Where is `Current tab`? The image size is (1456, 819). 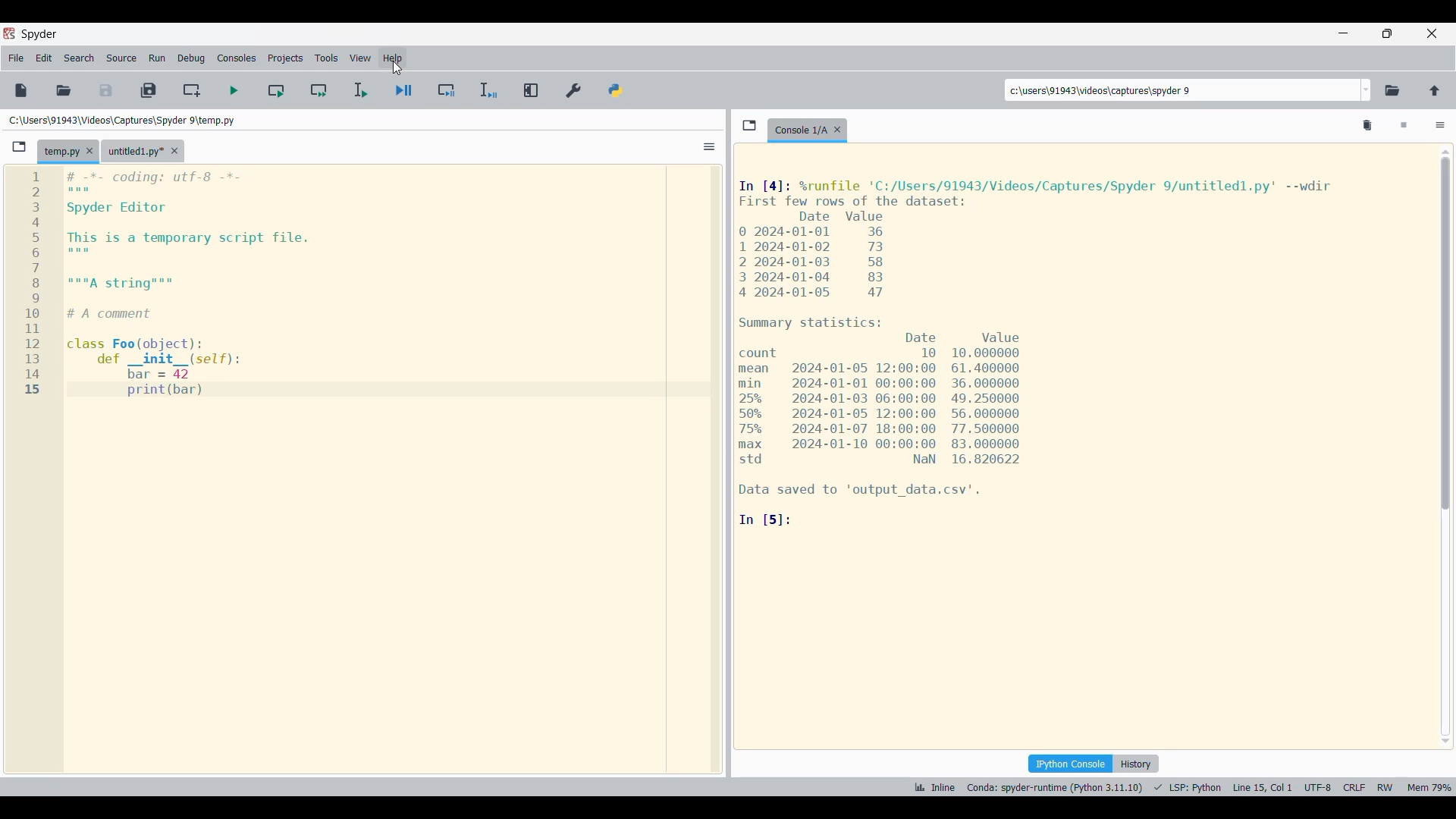
Current tab is located at coordinates (800, 130).